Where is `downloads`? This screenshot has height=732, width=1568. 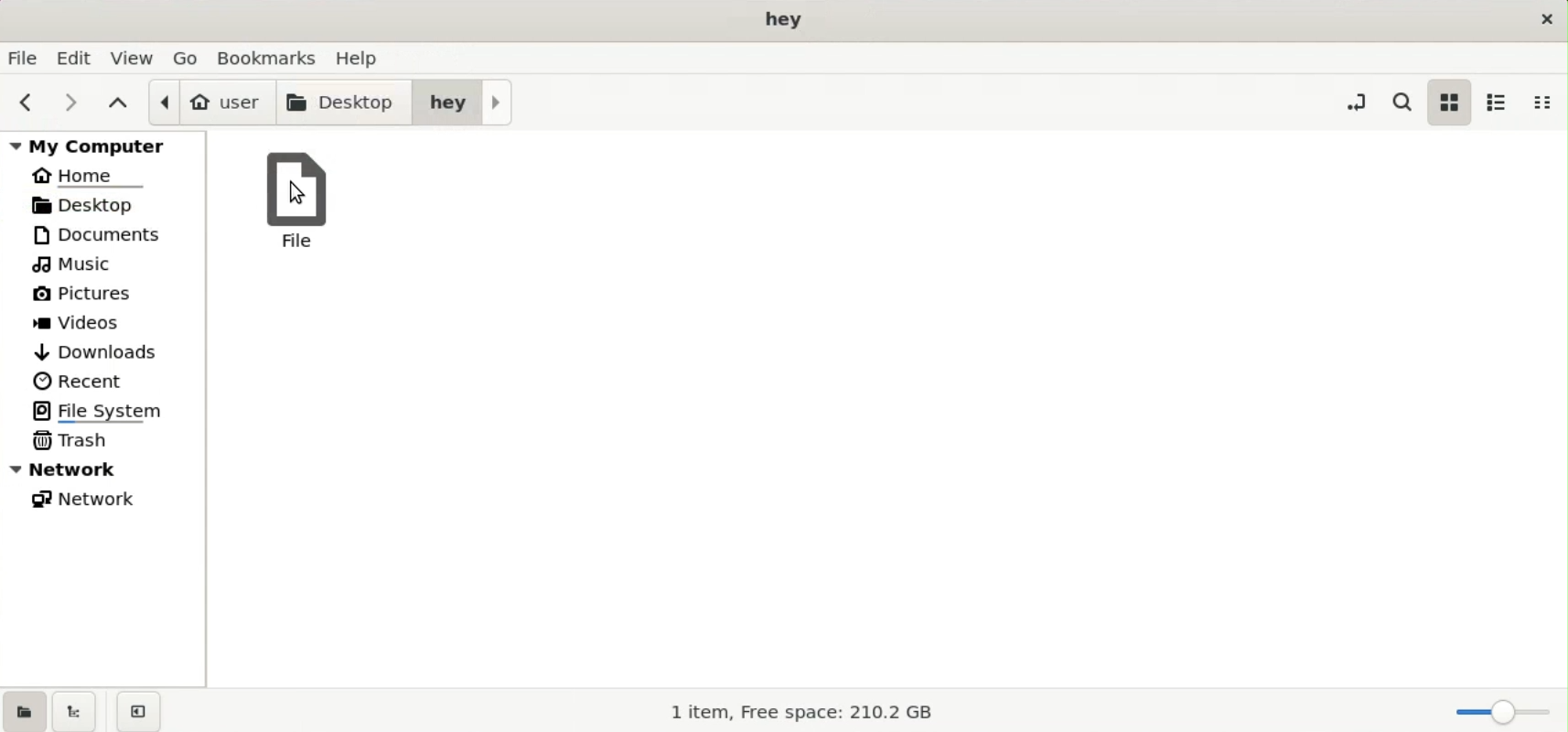 downloads is located at coordinates (98, 350).